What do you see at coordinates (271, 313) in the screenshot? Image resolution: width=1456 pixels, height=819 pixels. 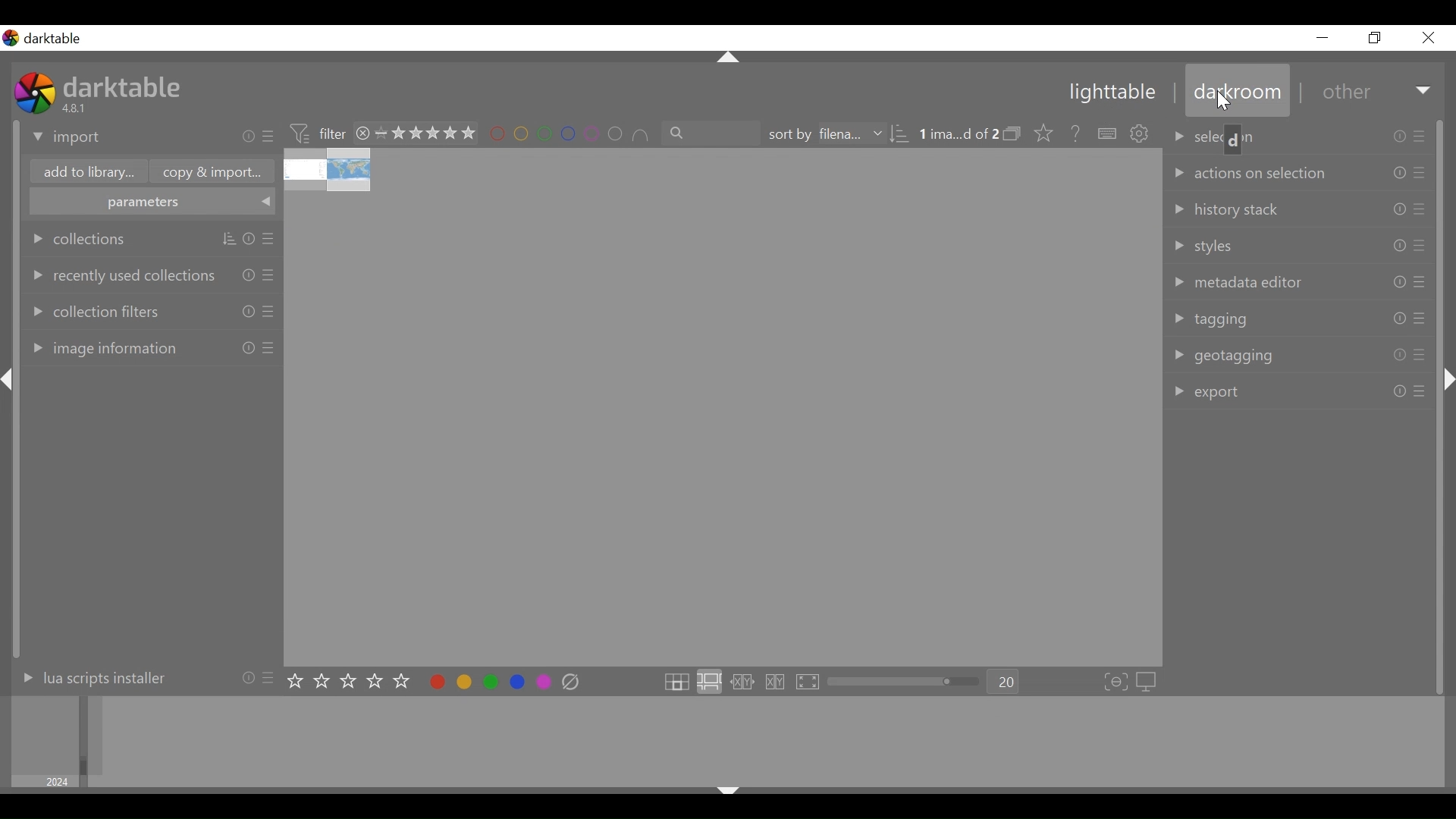 I see `` at bounding box center [271, 313].